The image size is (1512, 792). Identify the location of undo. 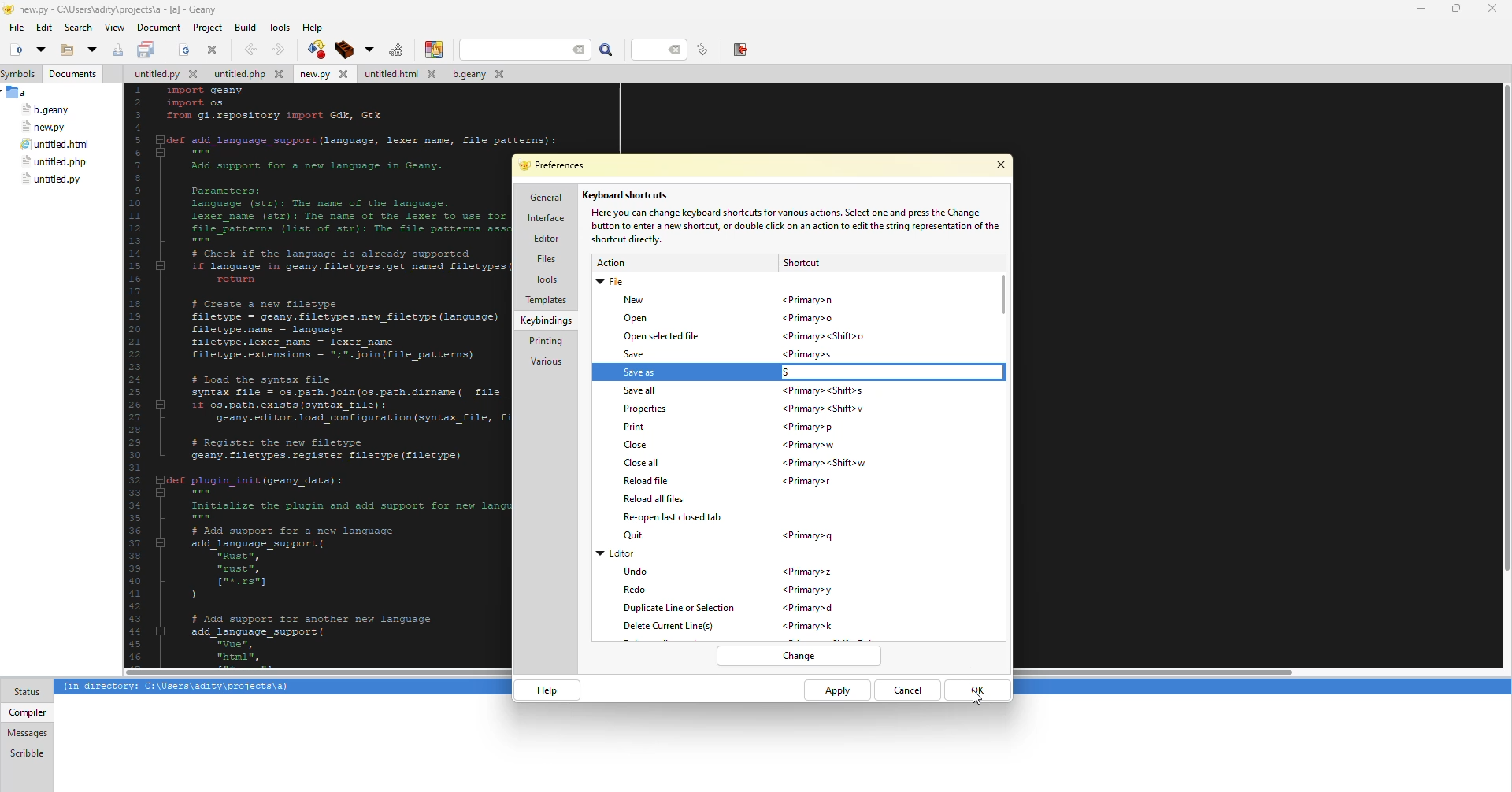
(636, 570).